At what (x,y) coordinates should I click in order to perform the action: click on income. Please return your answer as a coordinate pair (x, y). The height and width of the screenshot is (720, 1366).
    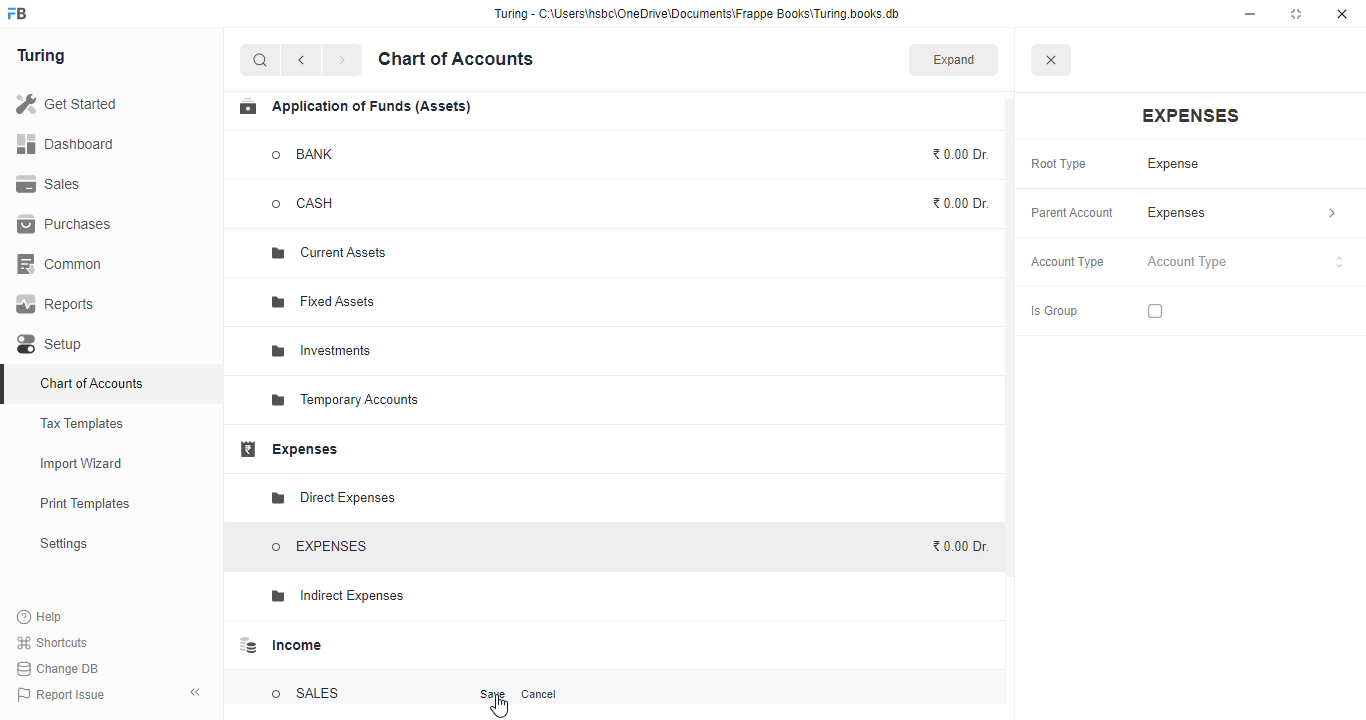
    Looking at the image, I should click on (278, 645).